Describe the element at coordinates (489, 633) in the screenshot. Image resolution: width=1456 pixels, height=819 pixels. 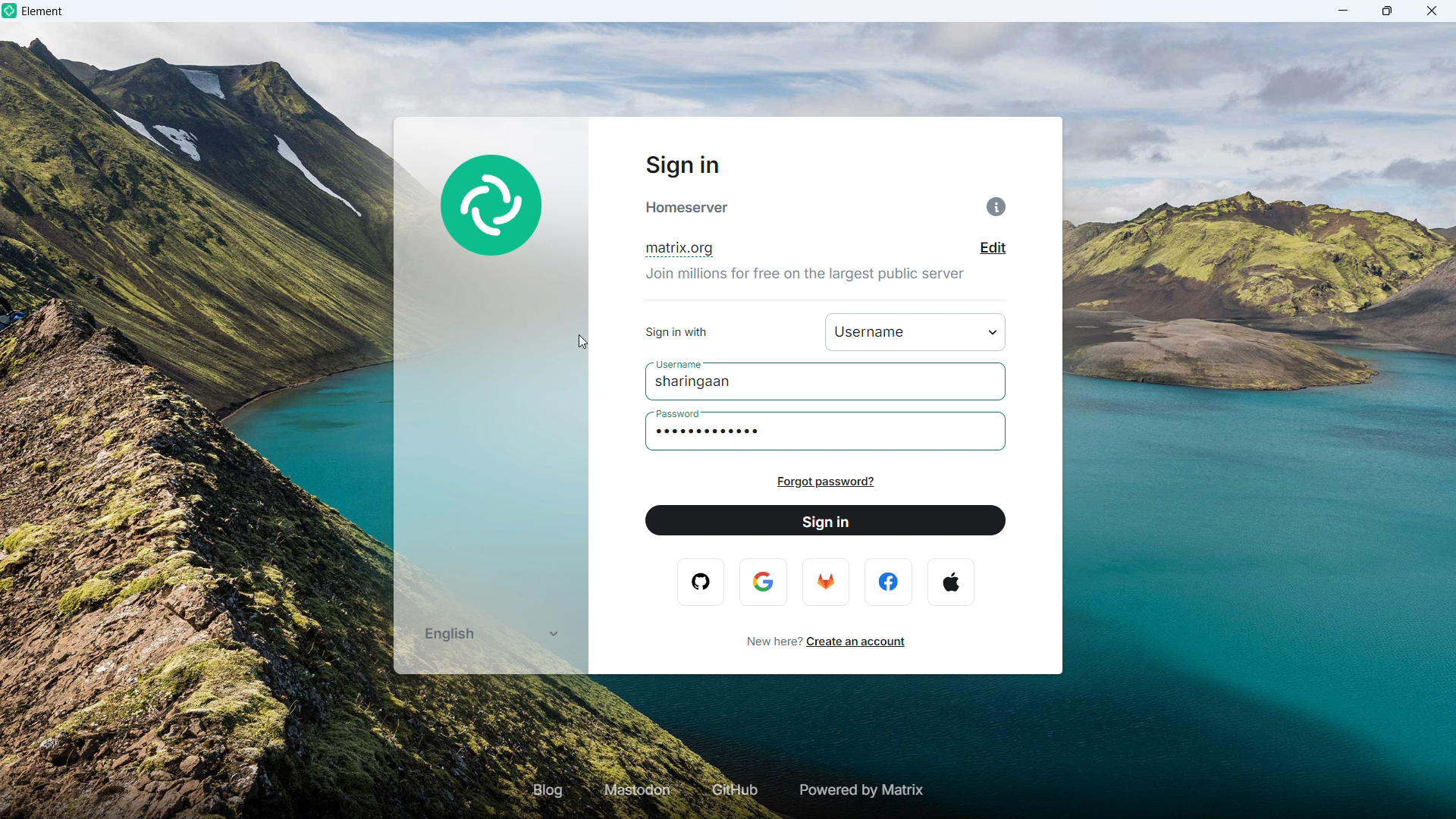
I see `Select language ` at that location.